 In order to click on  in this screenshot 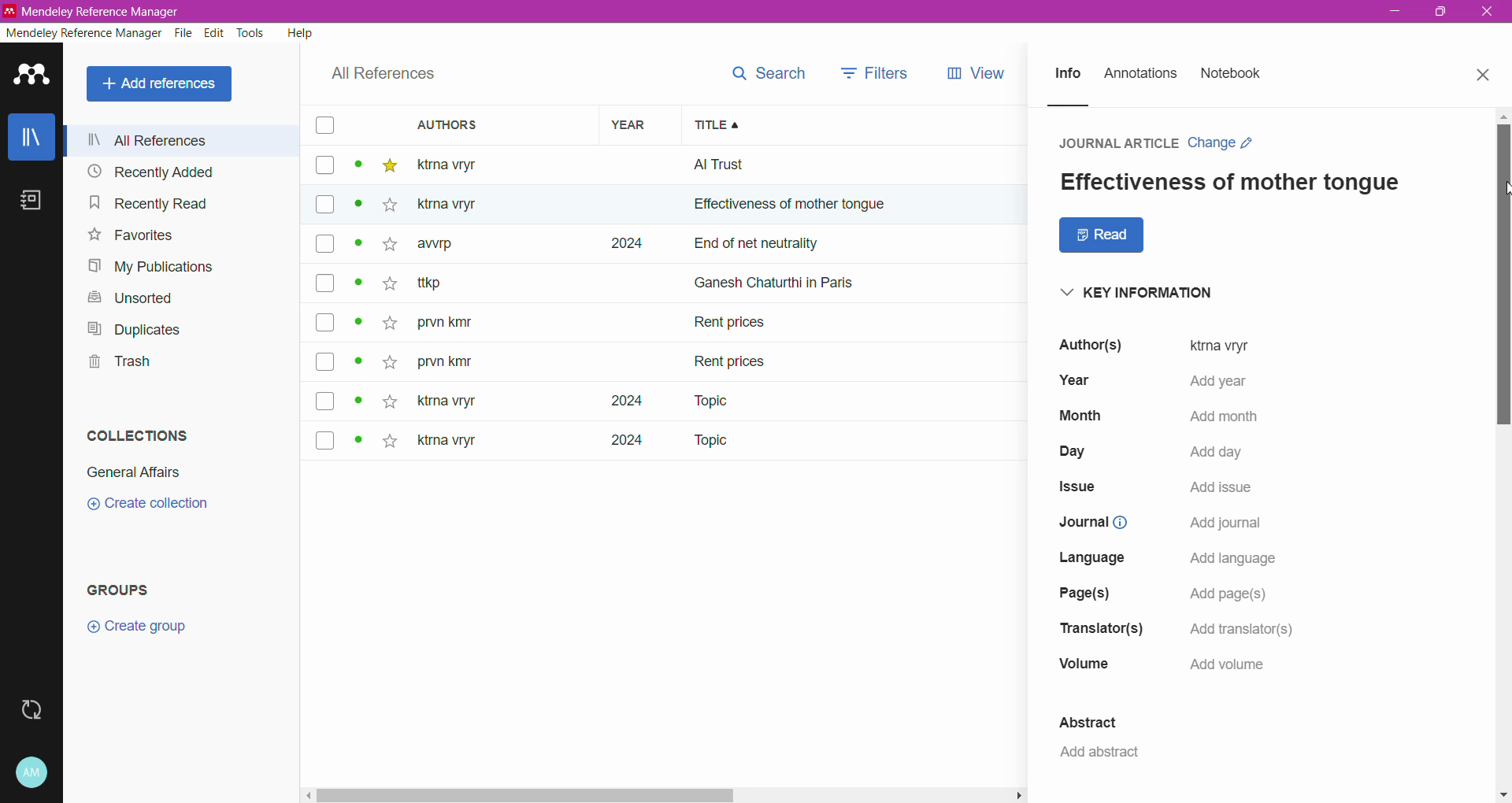, I will do `click(458, 205)`.